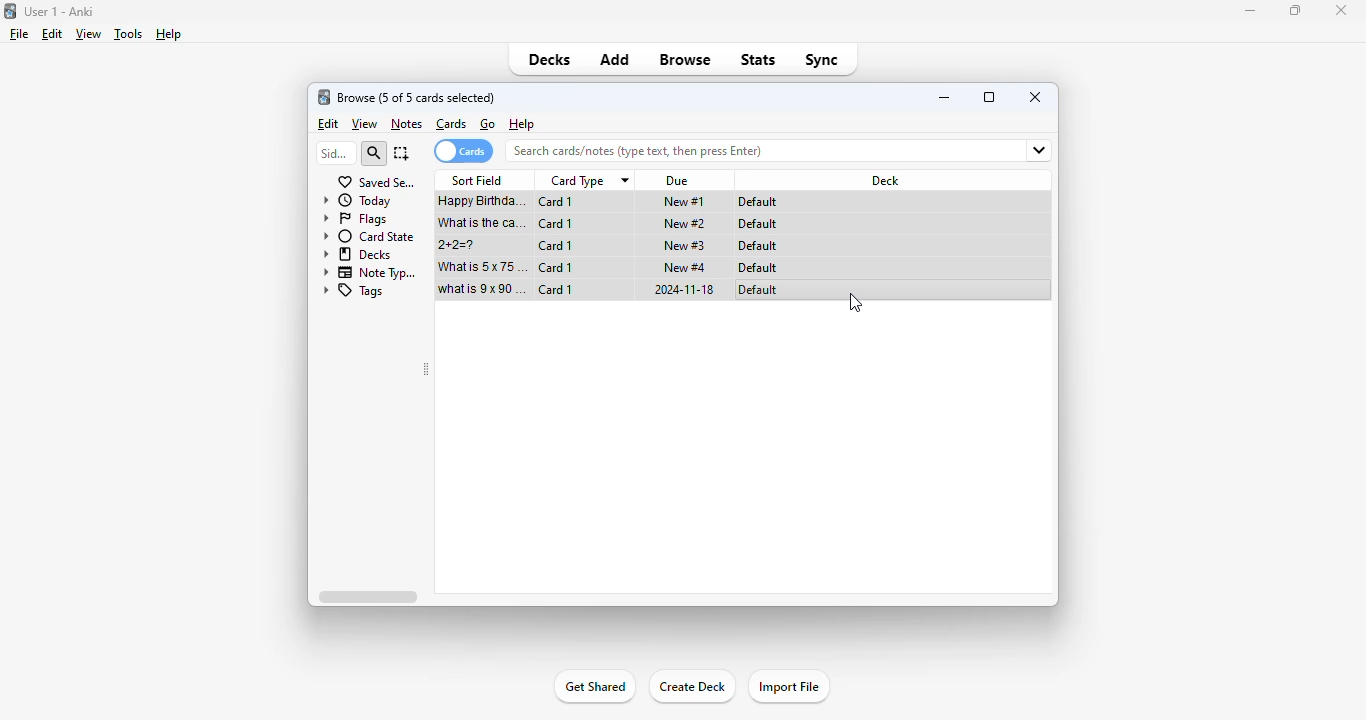 The image size is (1366, 720). Describe the element at coordinates (555, 246) in the screenshot. I see `card 1` at that location.